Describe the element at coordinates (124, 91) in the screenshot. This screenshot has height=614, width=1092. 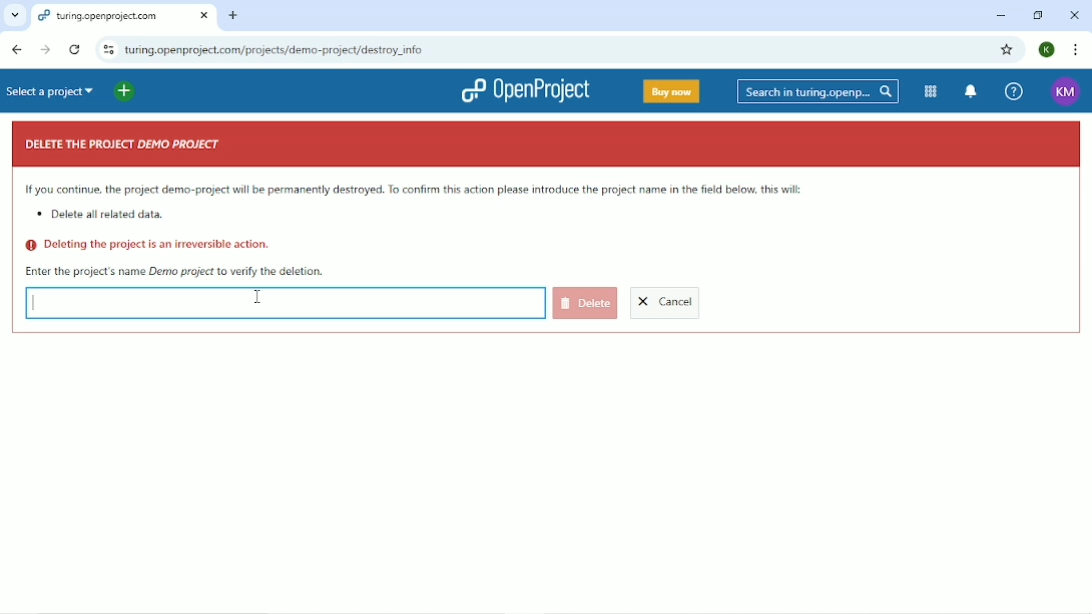
I see `Add new project` at that location.